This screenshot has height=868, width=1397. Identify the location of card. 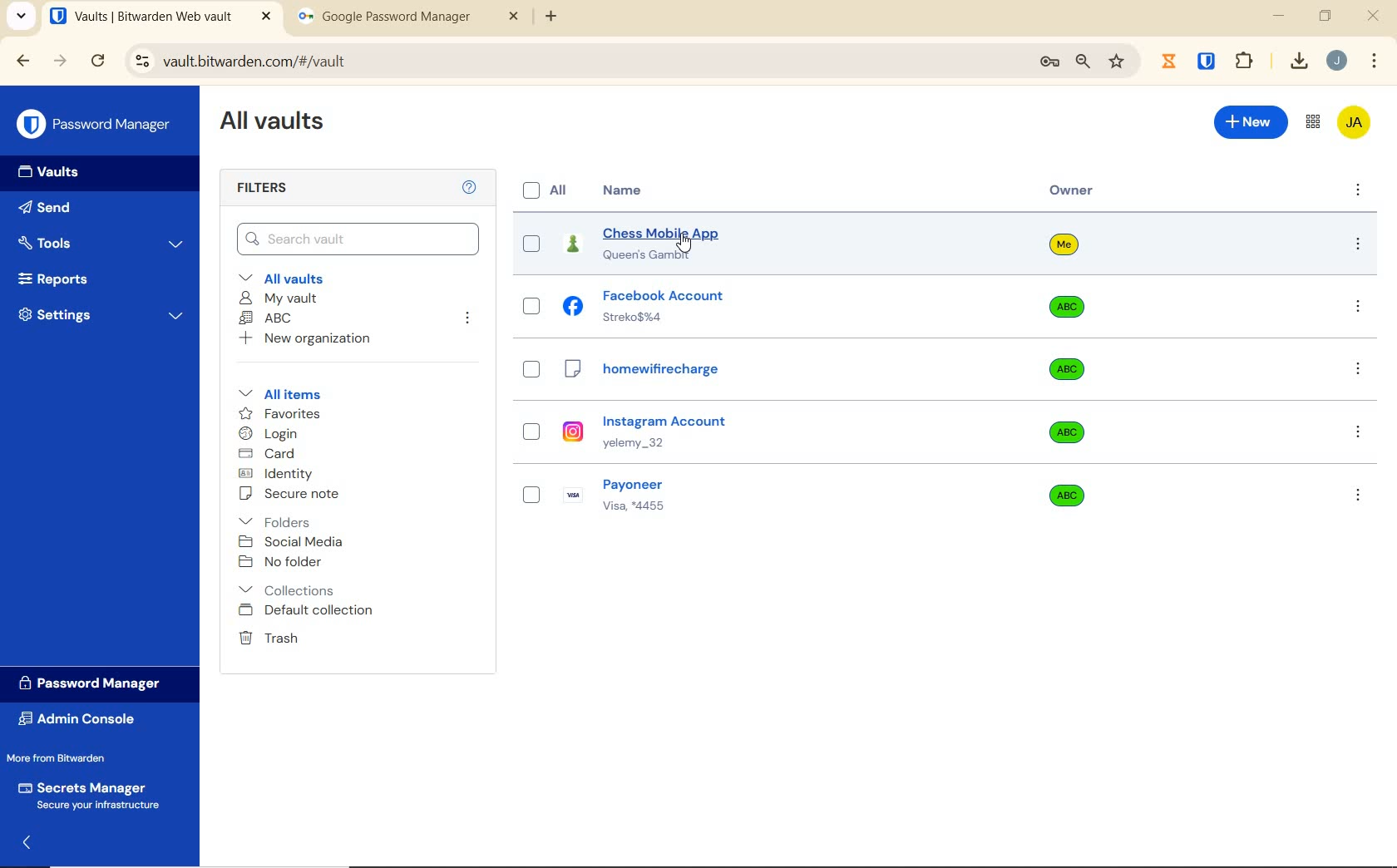
(269, 454).